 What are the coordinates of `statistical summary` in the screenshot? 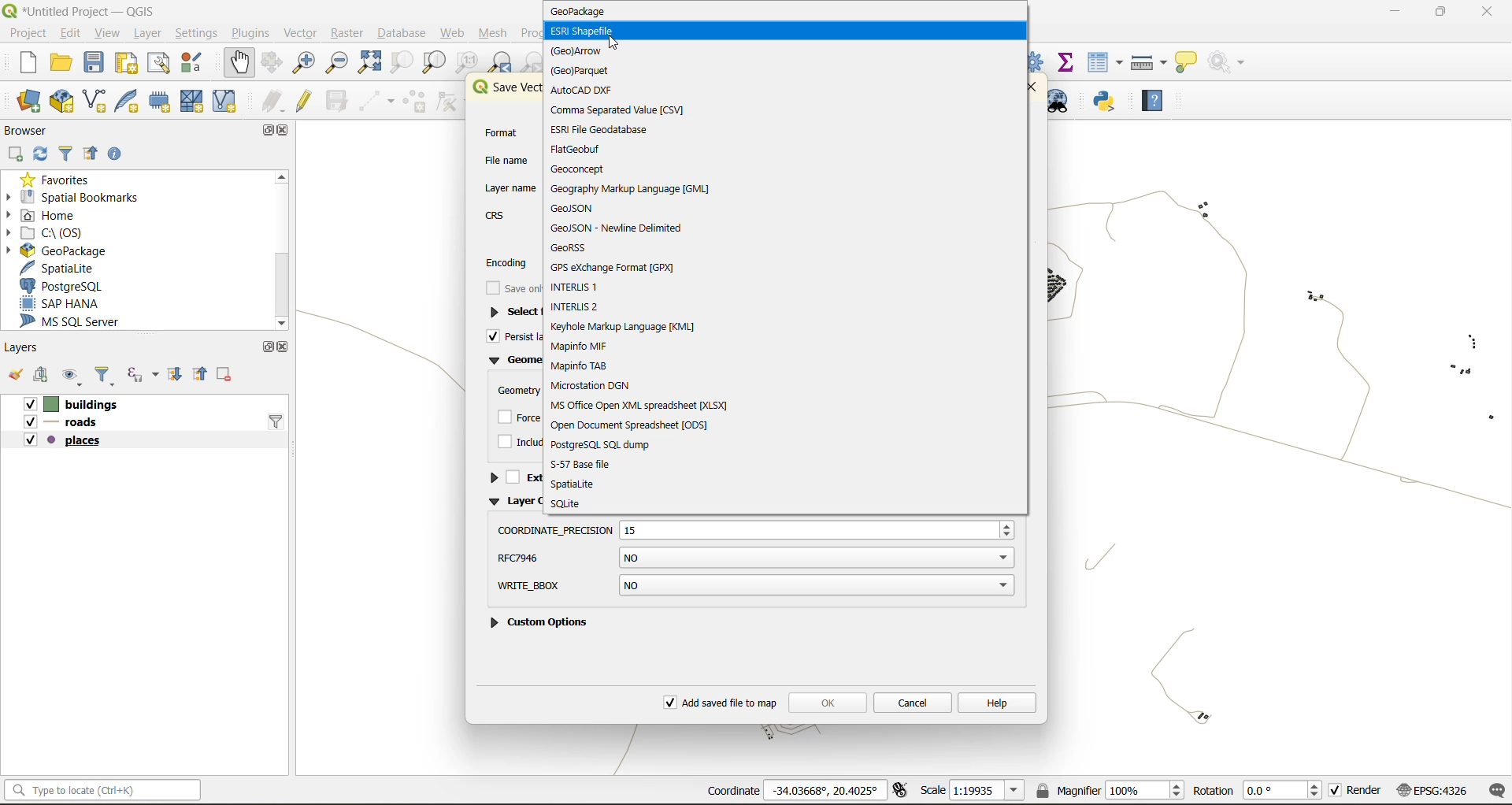 It's located at (1071, 63).